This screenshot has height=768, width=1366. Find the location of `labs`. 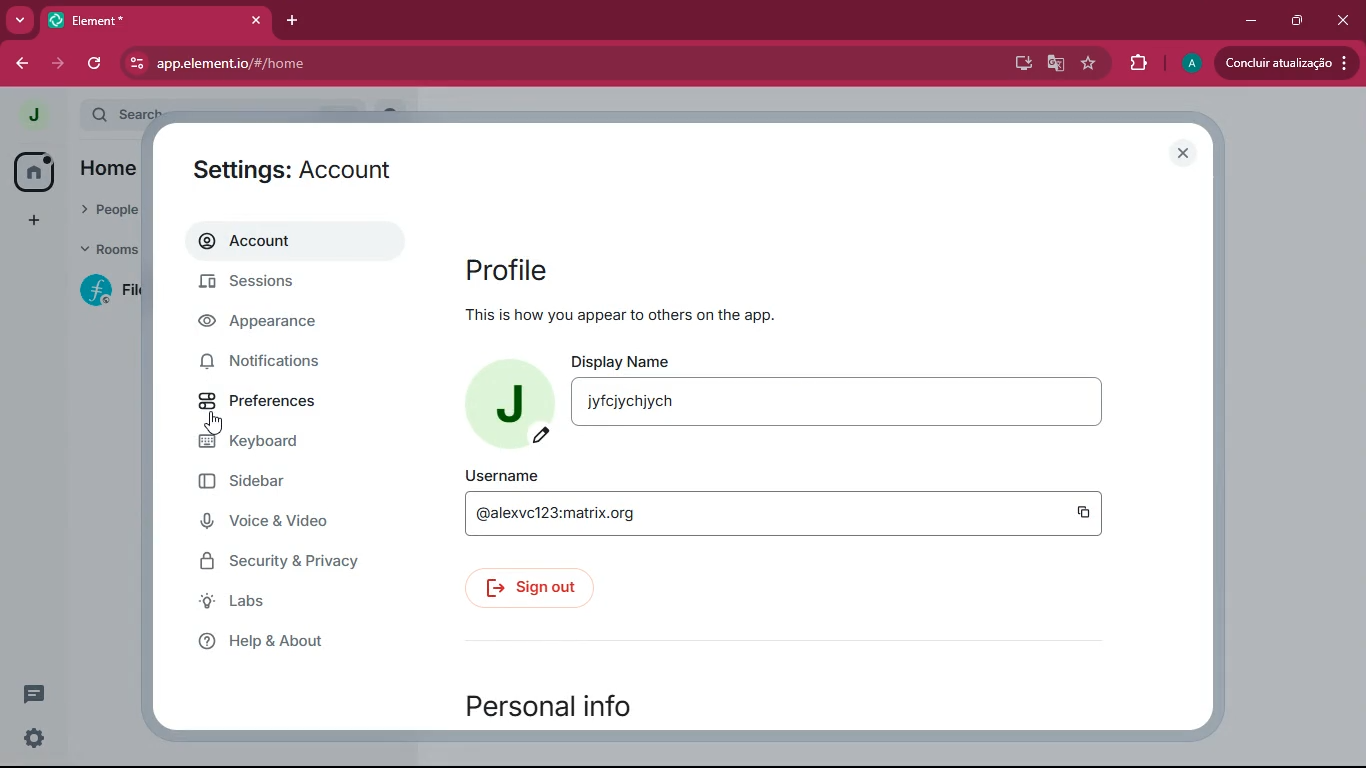

labs is located at coordinates (288, 603).